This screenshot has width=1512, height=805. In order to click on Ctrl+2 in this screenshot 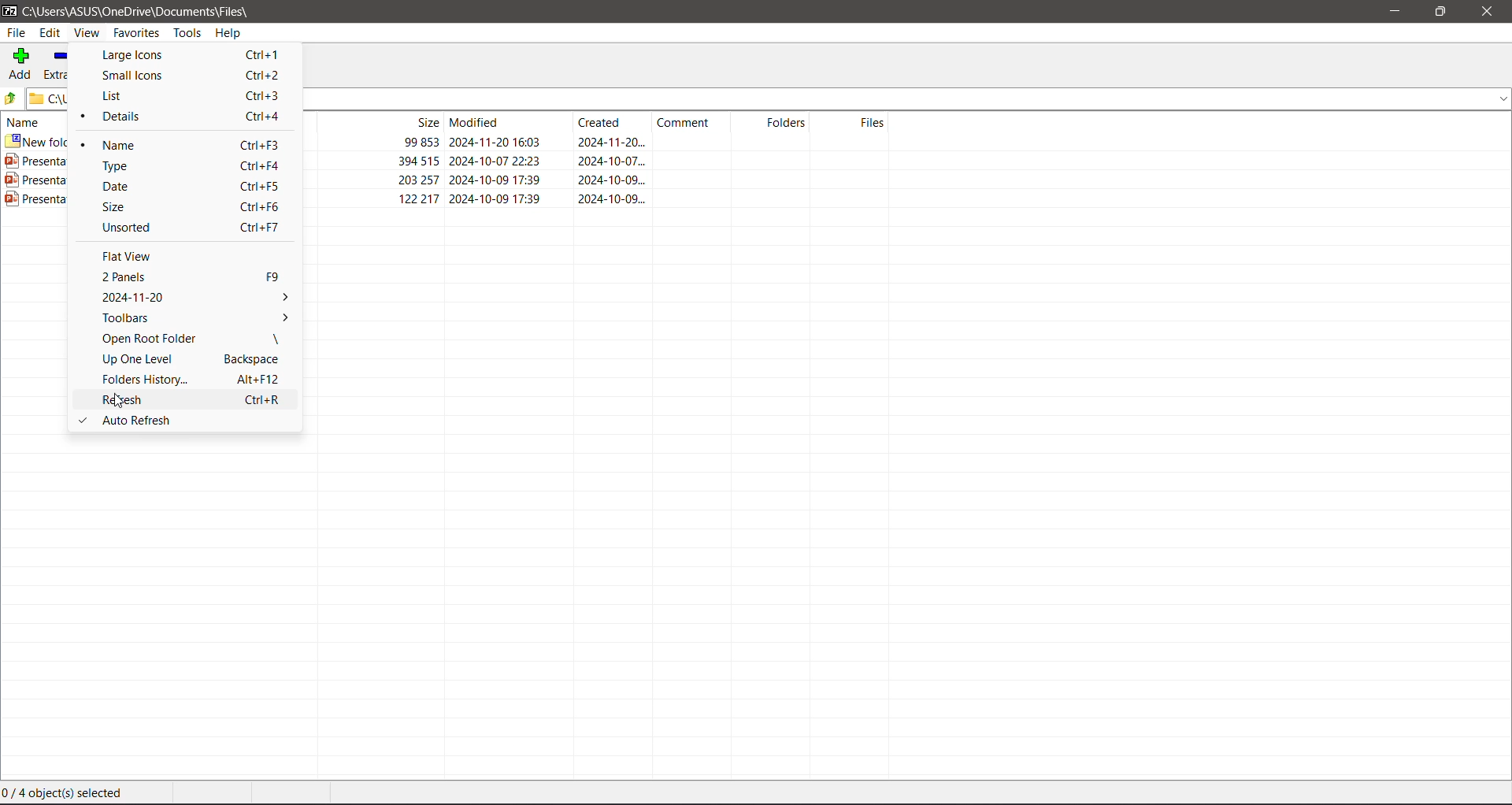, I will do `click(262, 76)`.